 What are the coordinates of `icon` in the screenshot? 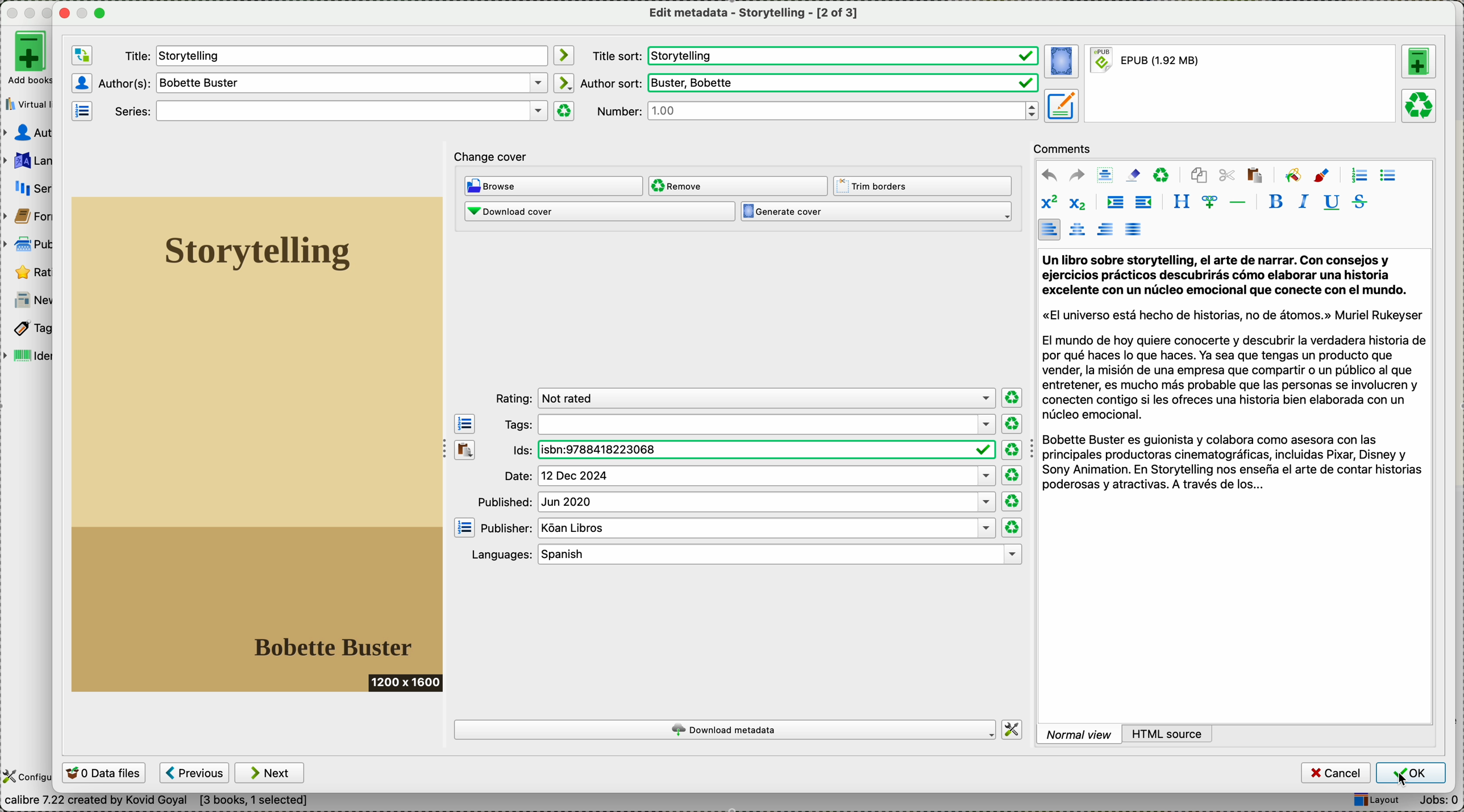 It's located at (1322, 176).